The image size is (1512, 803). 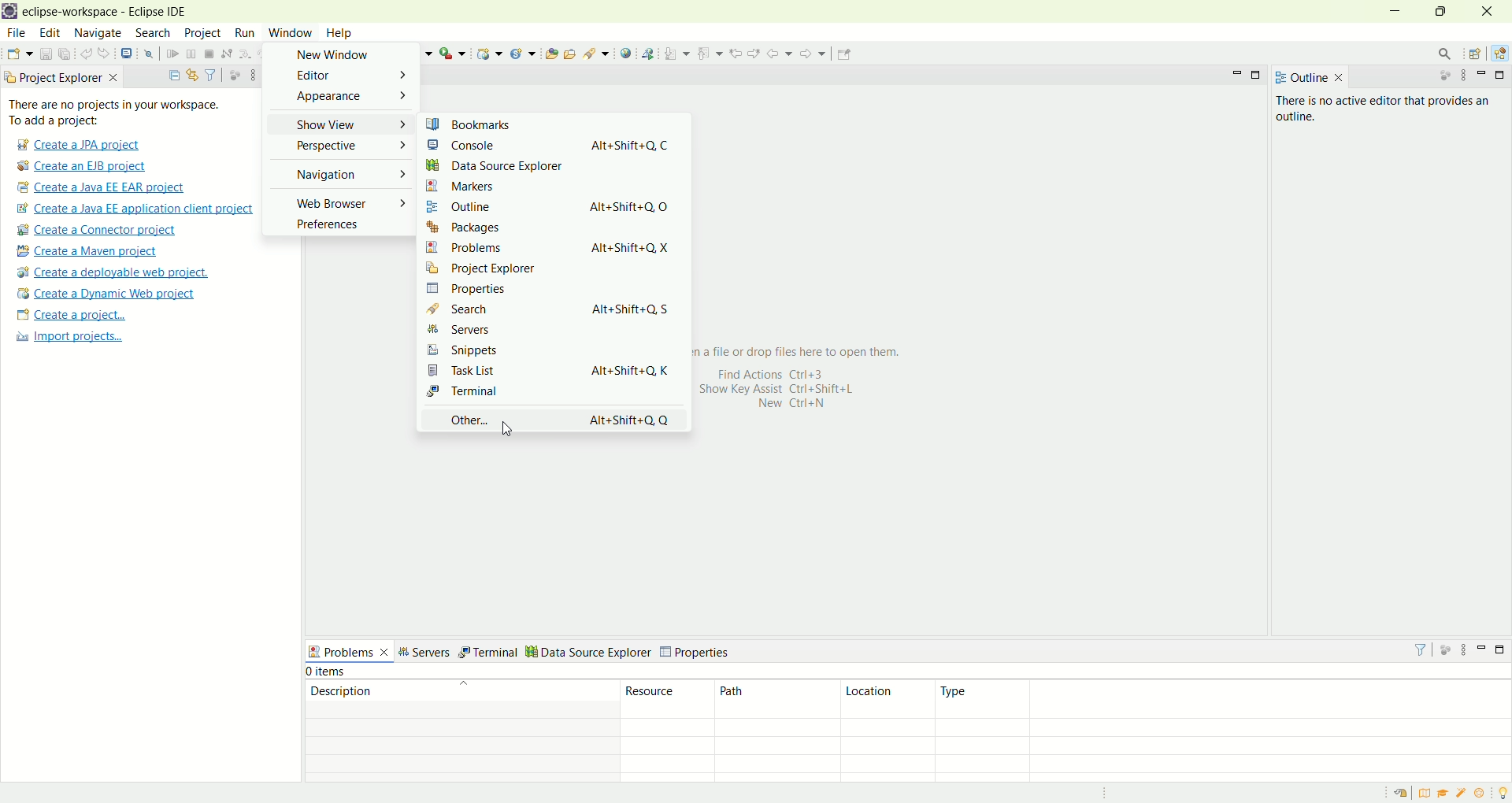 I want to click on skip all the breakpoints, so click(x=148, y=54).